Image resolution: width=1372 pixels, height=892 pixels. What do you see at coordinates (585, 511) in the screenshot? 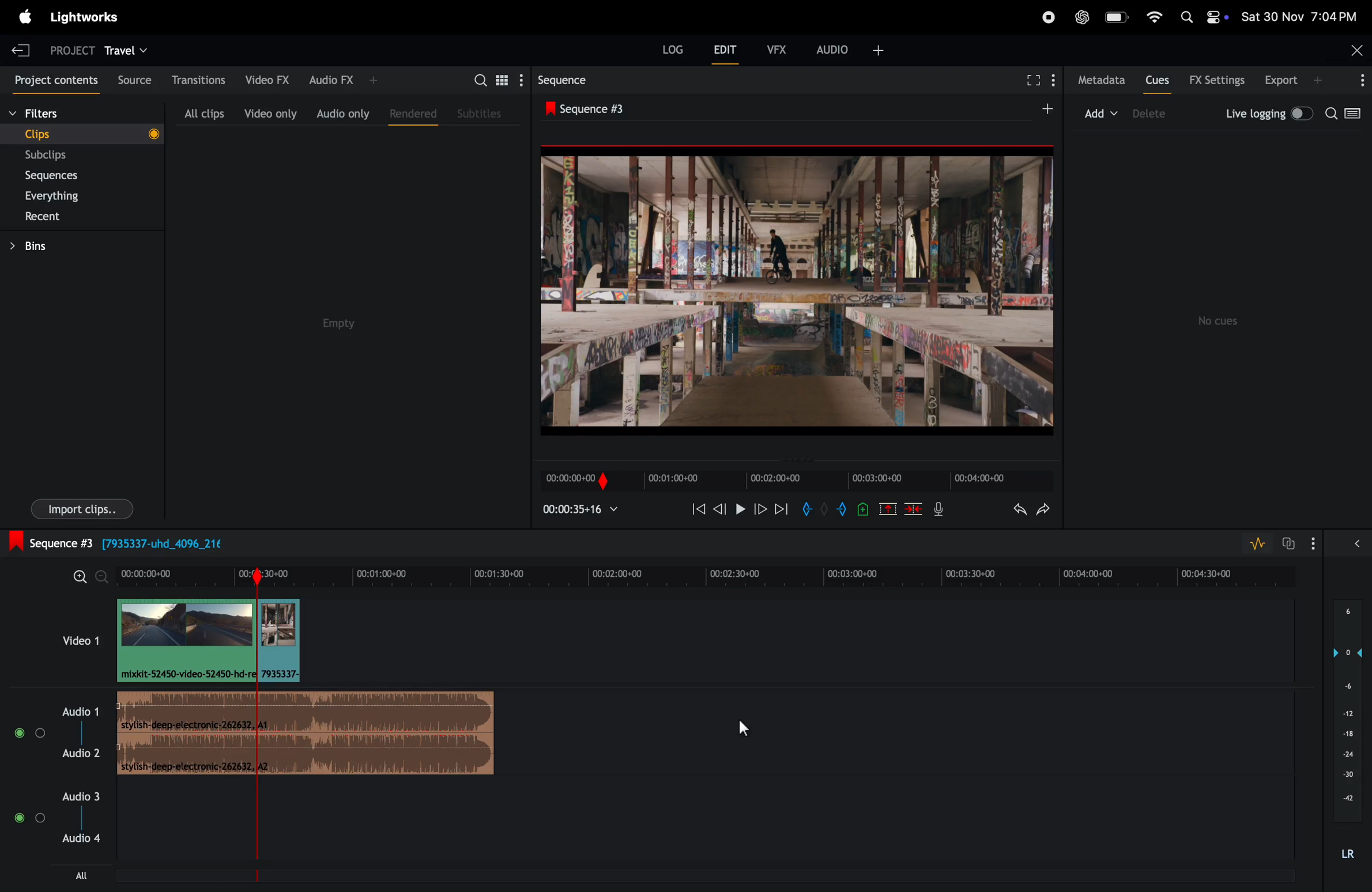
I see `00:00:35+16 (playback time)` at bounding box center [585, 511].